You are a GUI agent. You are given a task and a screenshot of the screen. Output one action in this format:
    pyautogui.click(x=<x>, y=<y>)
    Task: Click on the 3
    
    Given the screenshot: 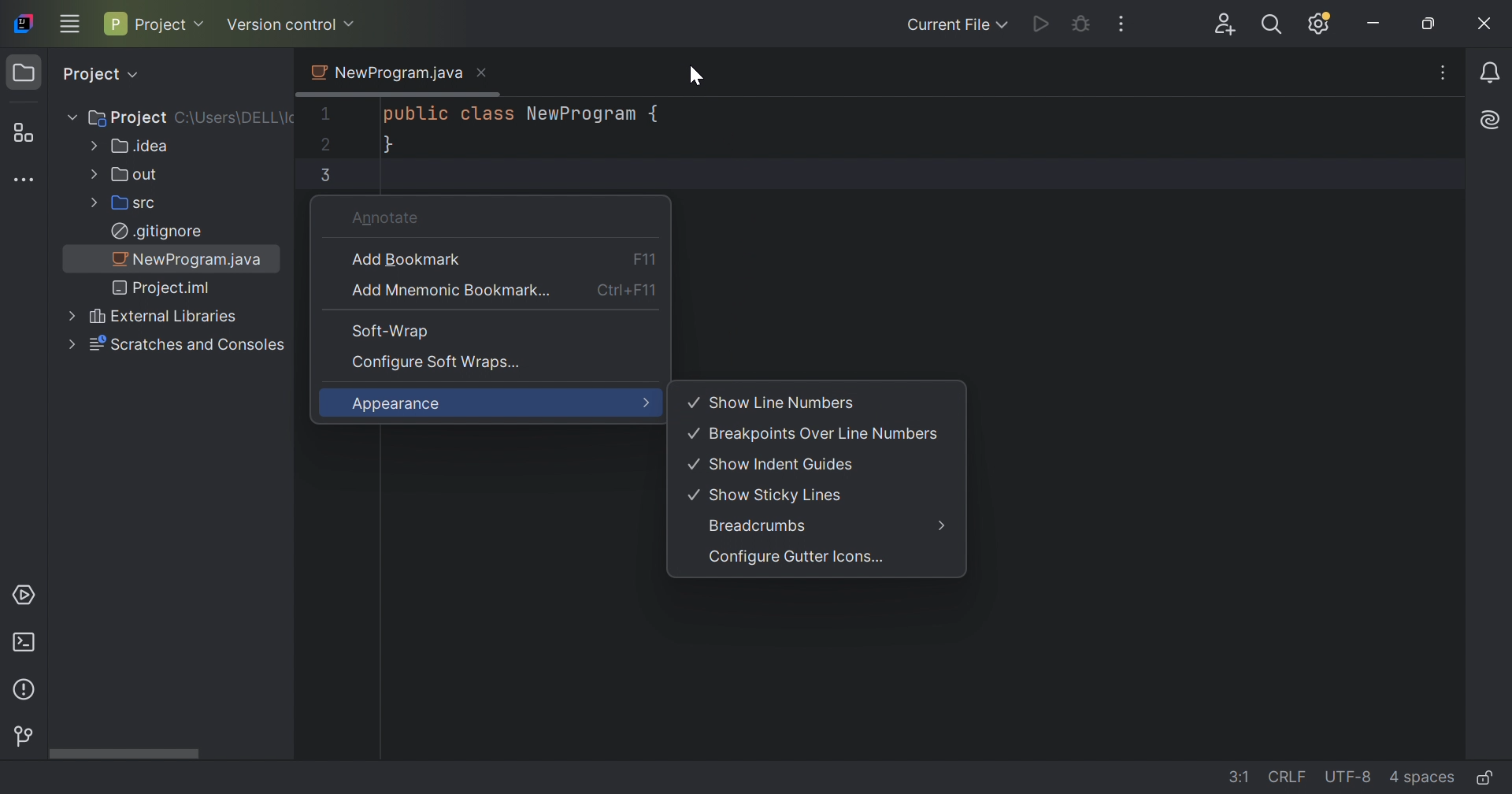 What is the action you would take?
    pyautogui.click(x=325, y=174)
    